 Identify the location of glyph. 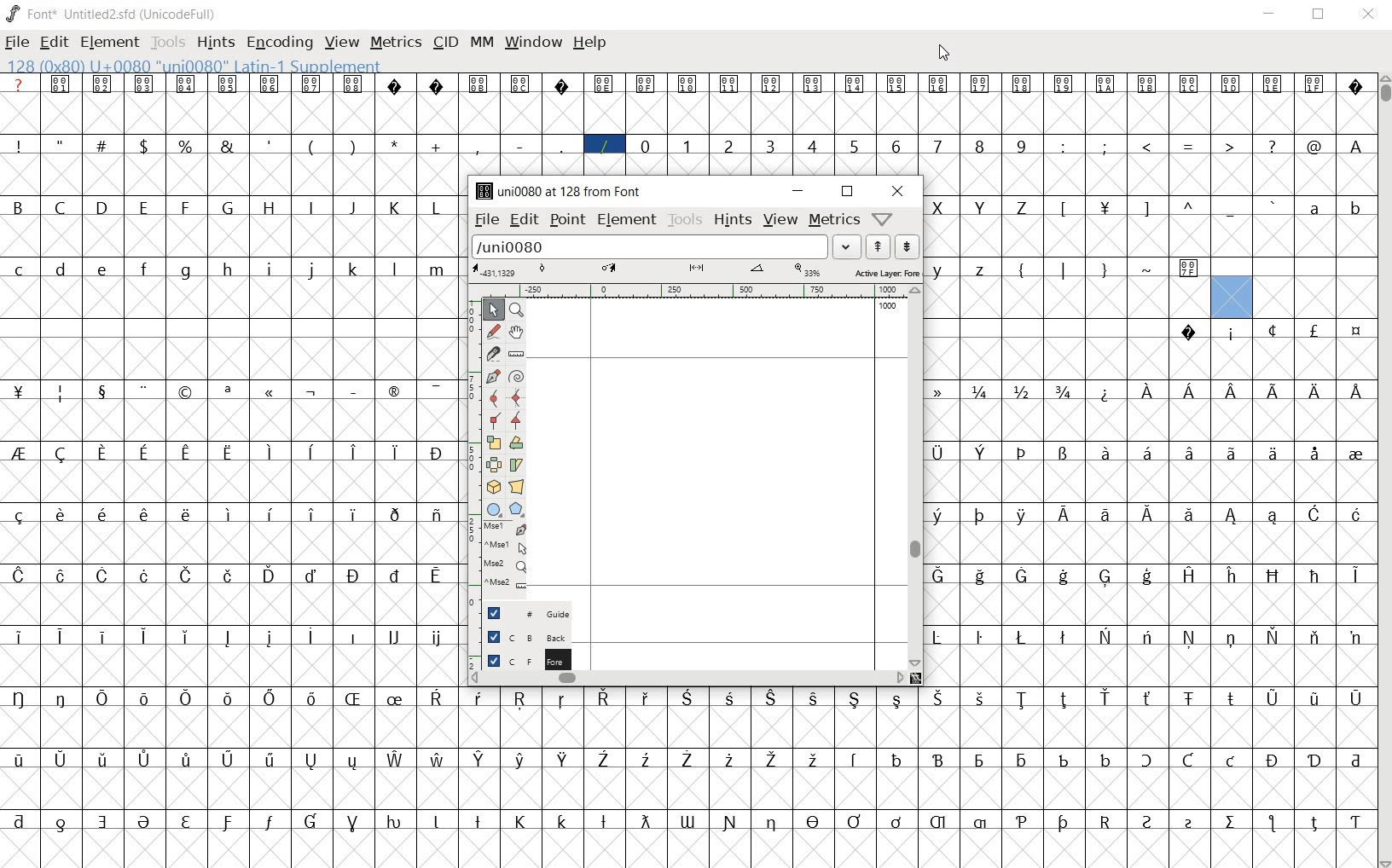
(395, 208).